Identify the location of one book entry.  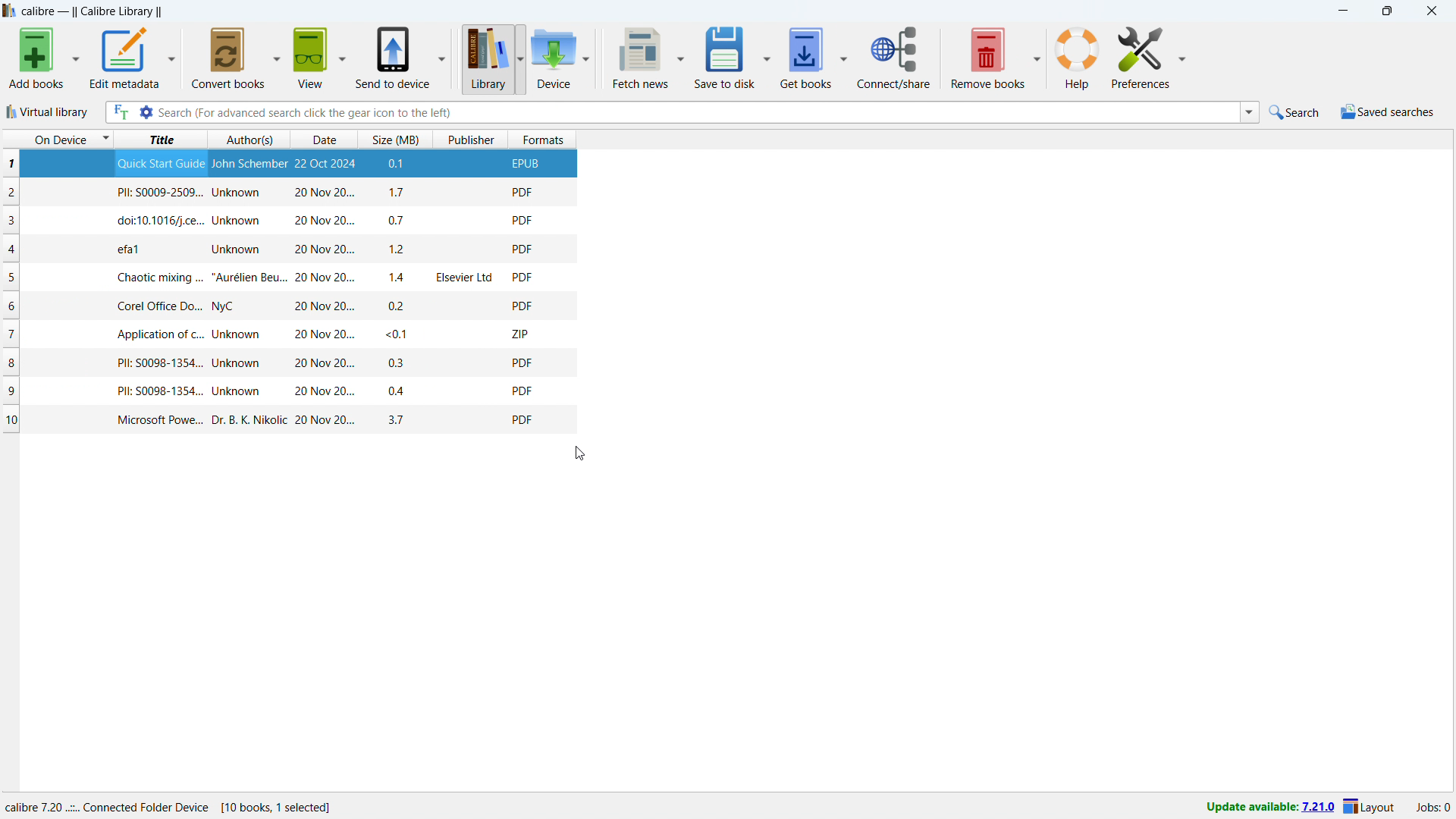
(291, 420).